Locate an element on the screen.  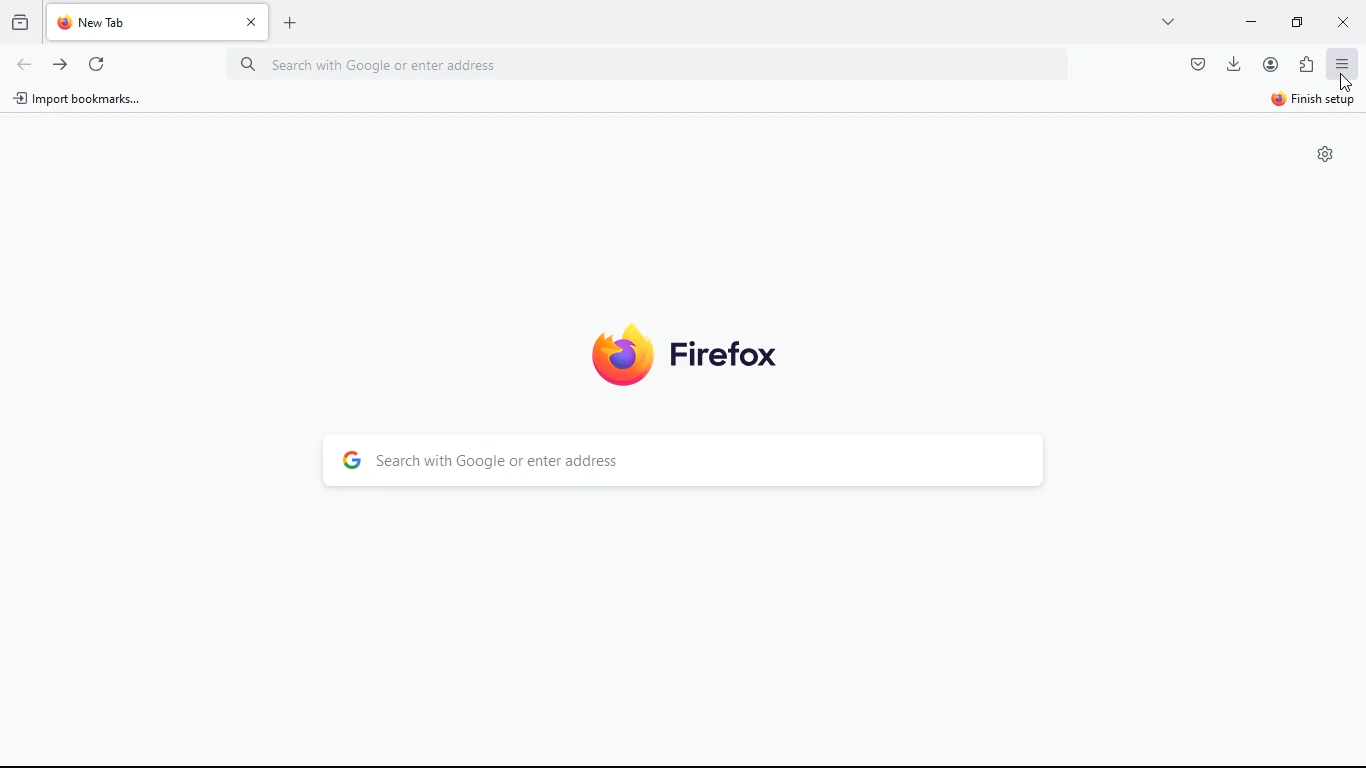
menu is located at coordinates (1340, 65).